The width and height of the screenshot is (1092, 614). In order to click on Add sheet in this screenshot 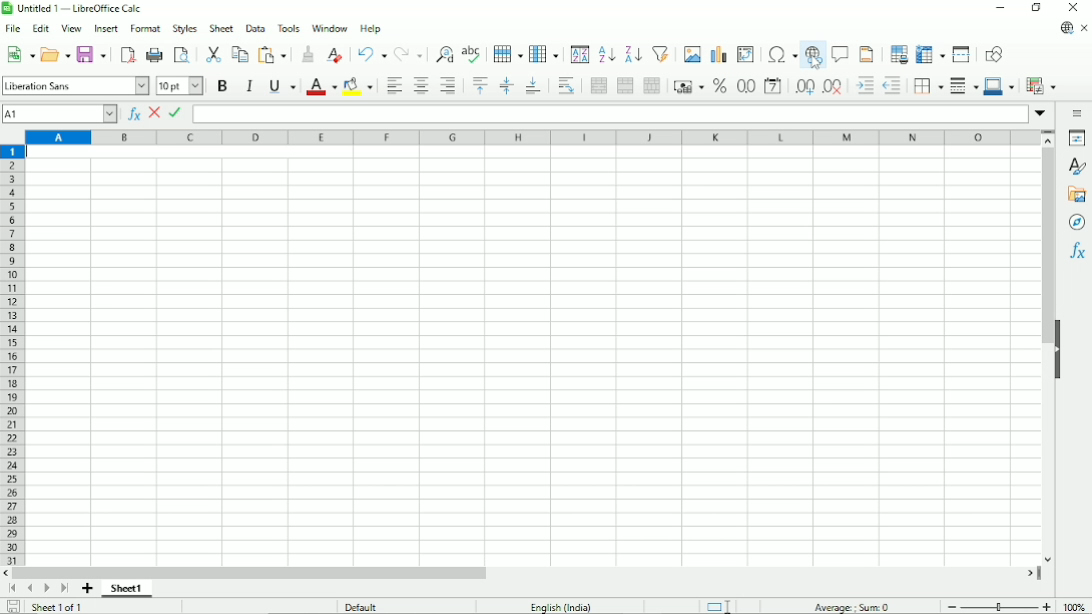, I will do `click(86, 589)`.